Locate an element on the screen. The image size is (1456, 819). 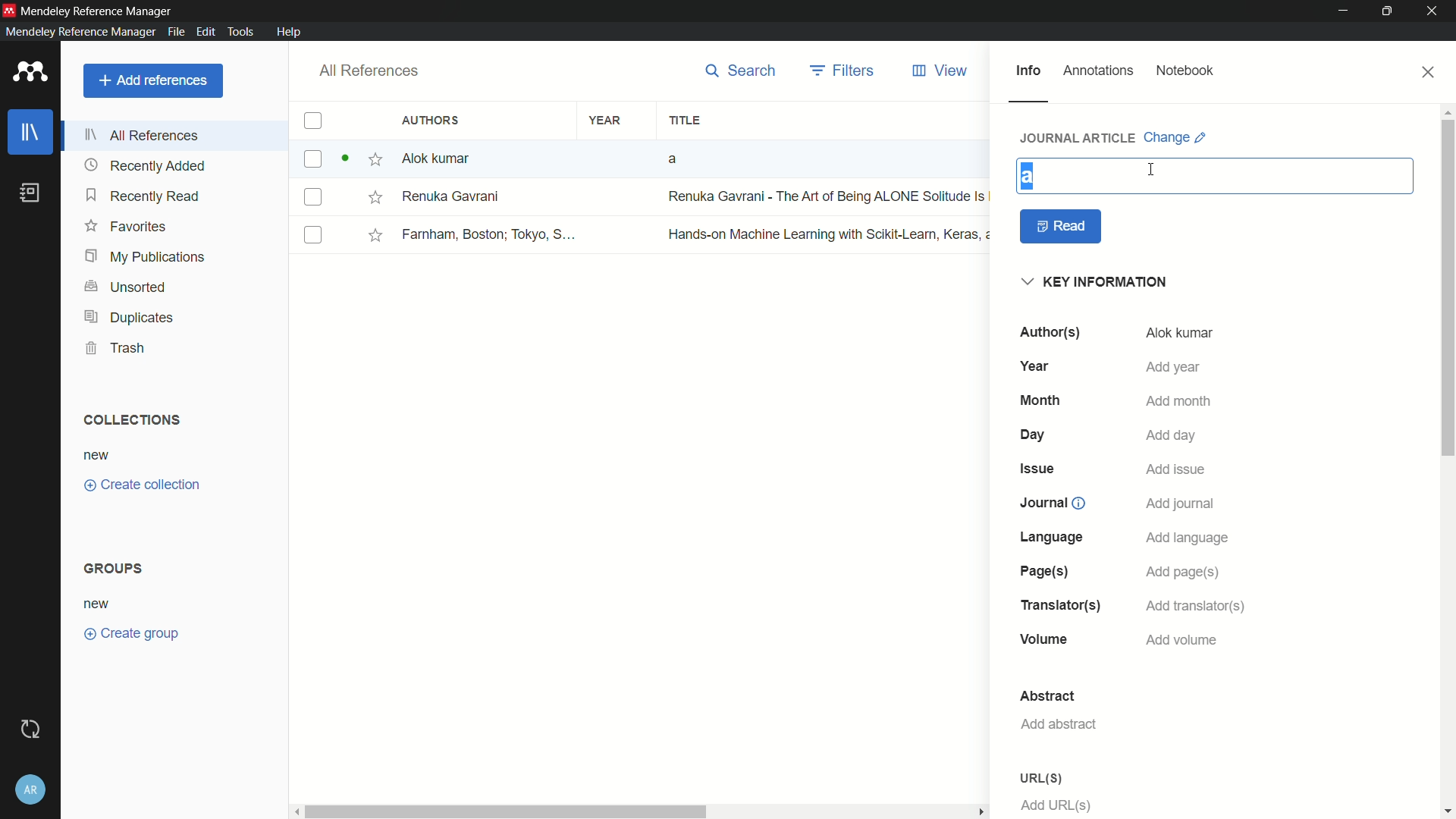
vertical scrollbar is located at coordinates (1447, 460).